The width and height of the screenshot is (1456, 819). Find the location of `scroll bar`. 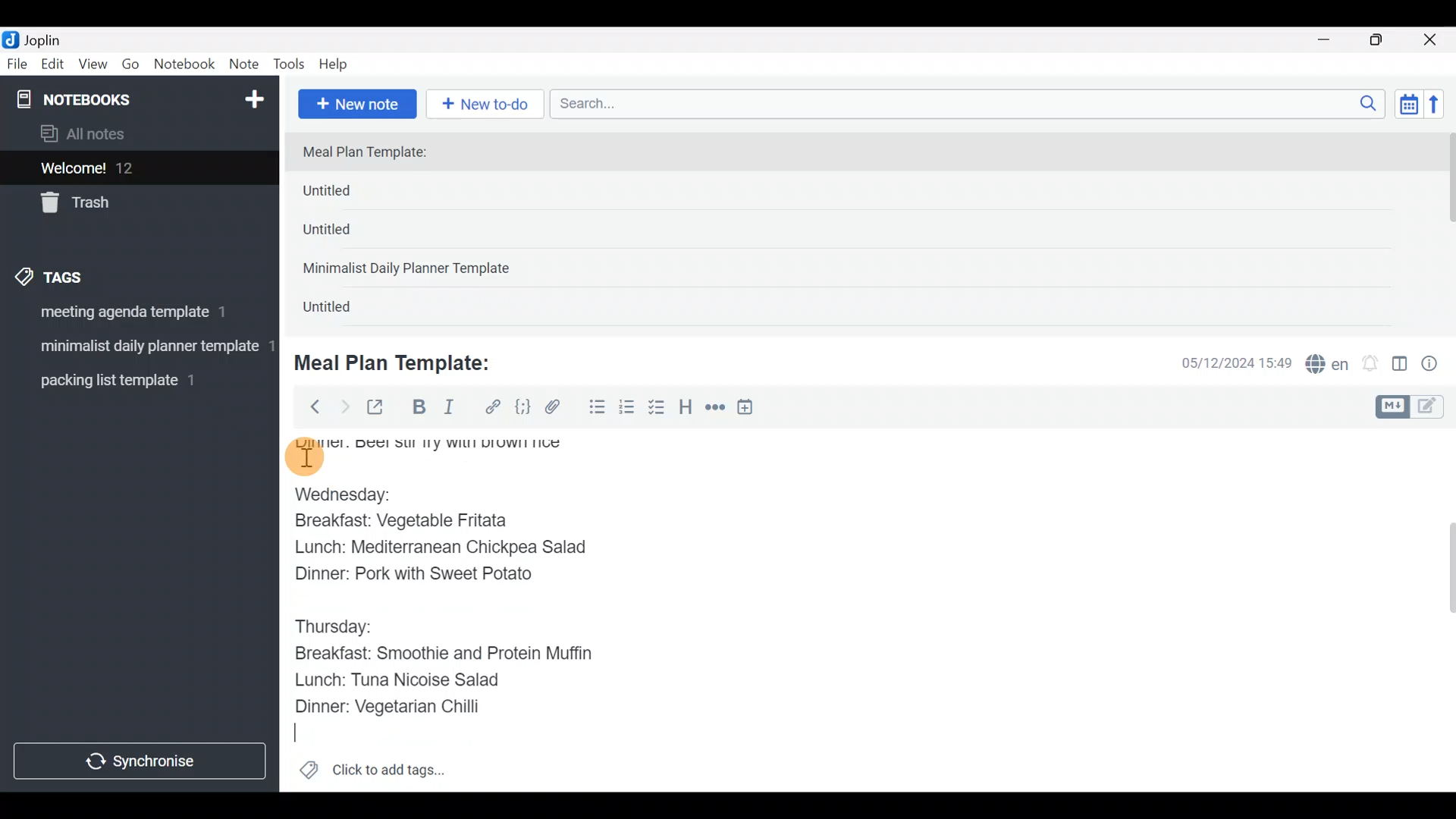

scroll bar is located at coordinates (1446, 229).